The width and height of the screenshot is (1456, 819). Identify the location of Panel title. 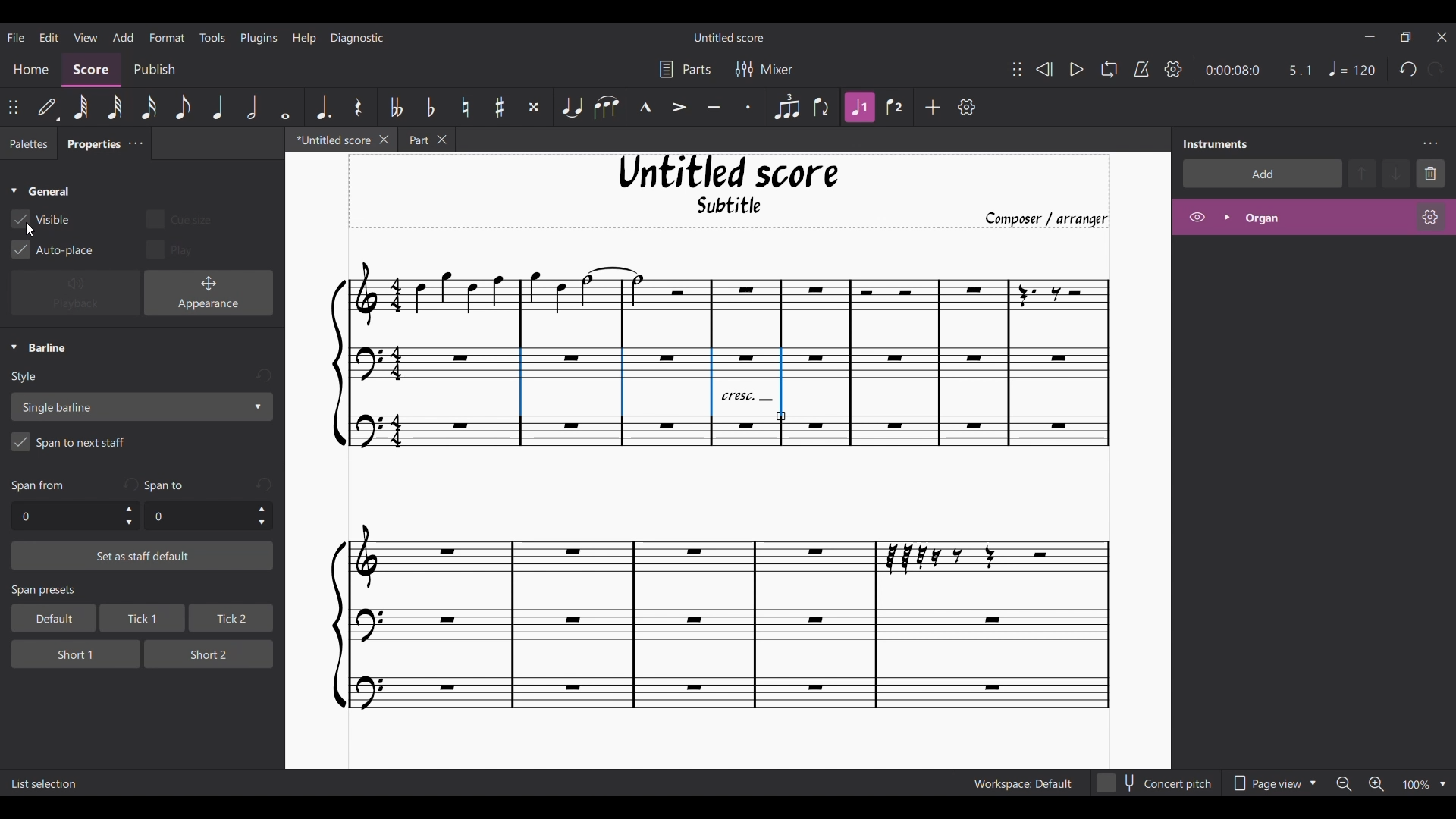
(1216, 143).